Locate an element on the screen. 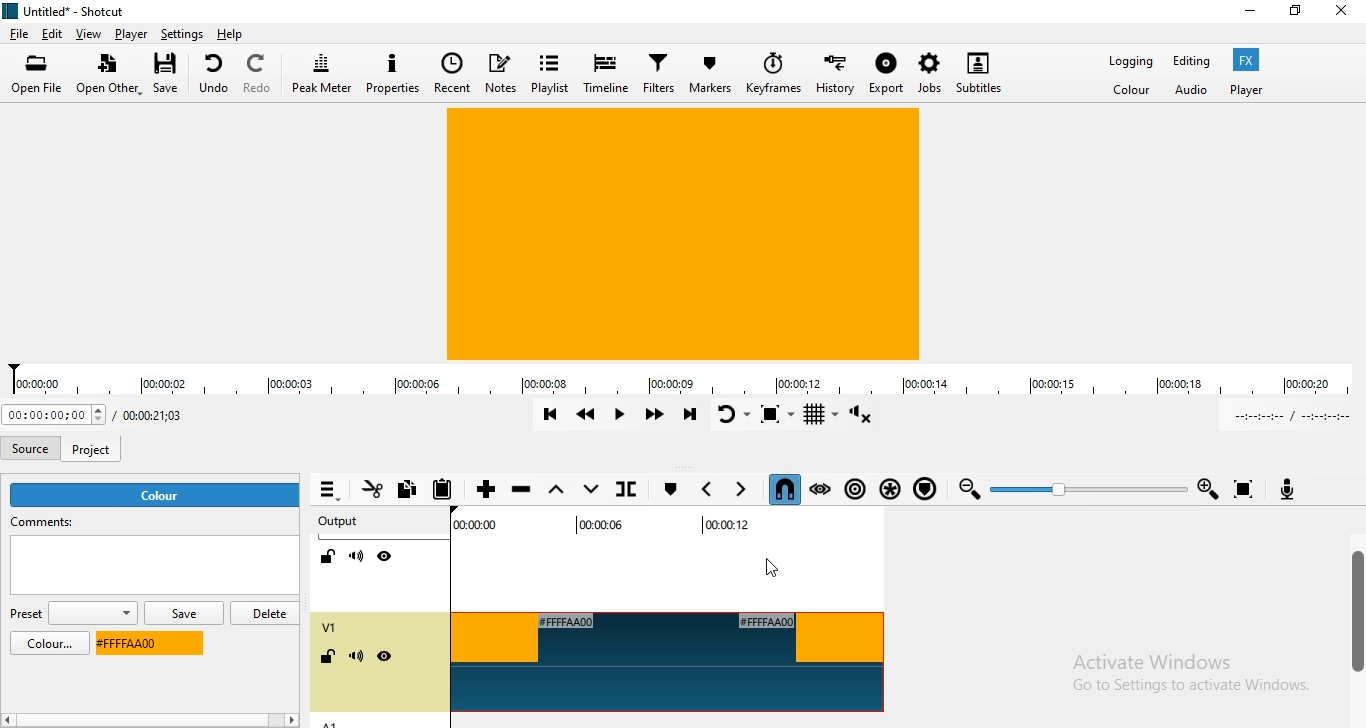 The width and height of the screenshot is (1366, 728). Toggle player looping  is located at coordinates (731, 414).